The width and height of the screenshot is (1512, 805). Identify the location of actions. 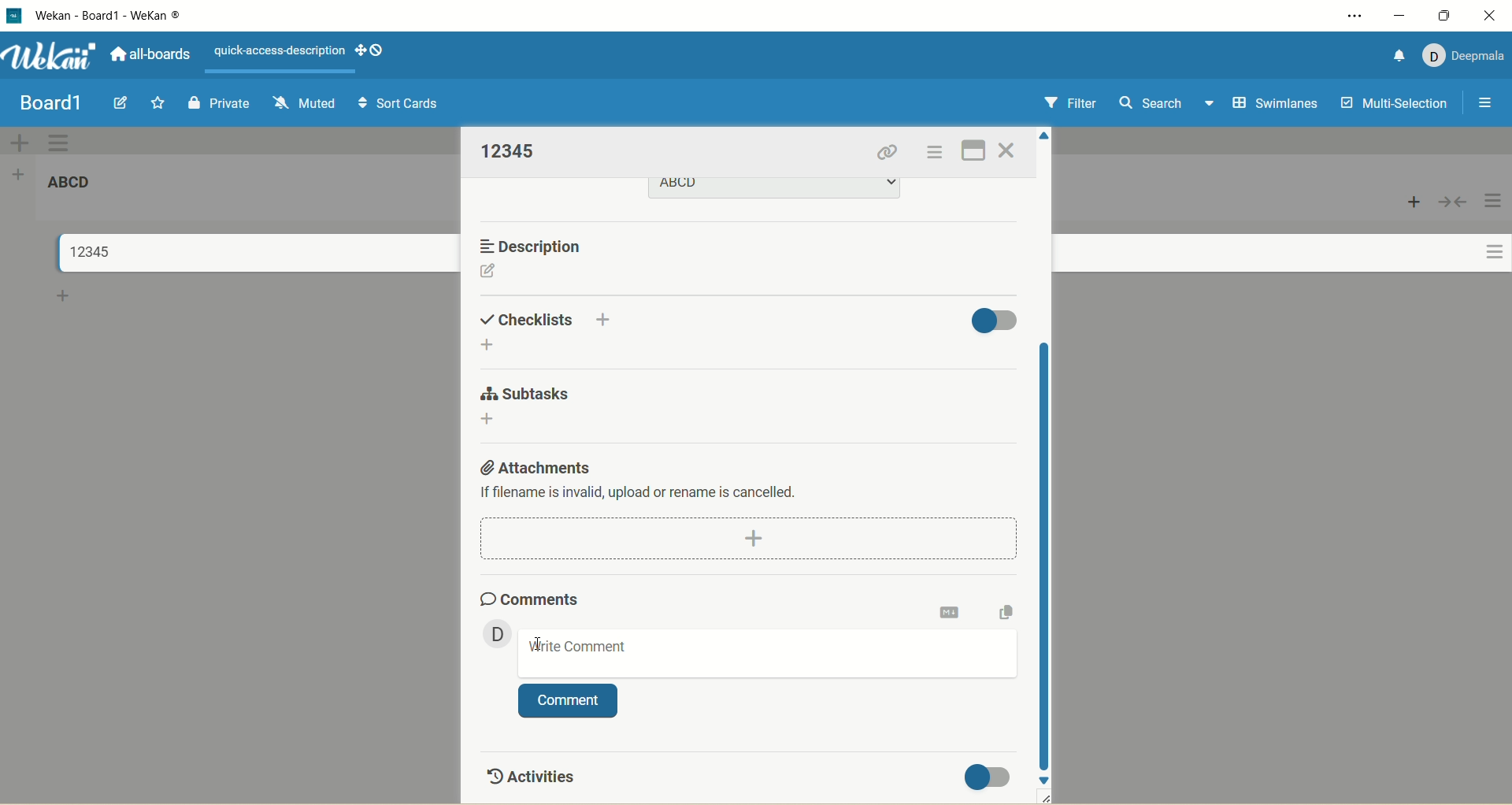
(1488, 239).